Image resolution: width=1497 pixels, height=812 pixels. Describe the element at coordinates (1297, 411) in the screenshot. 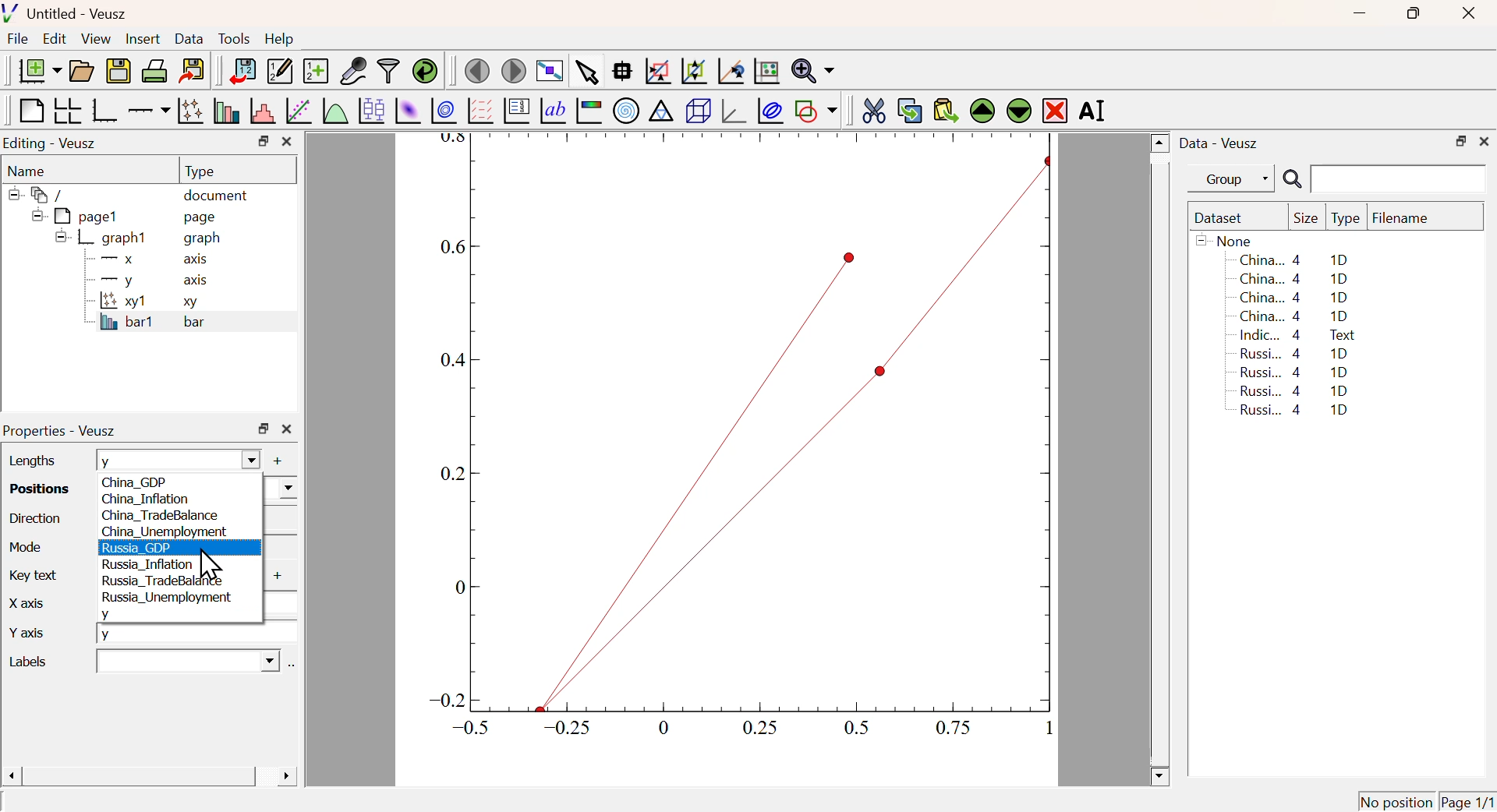

I see `Russi... 4 1D` at that location.